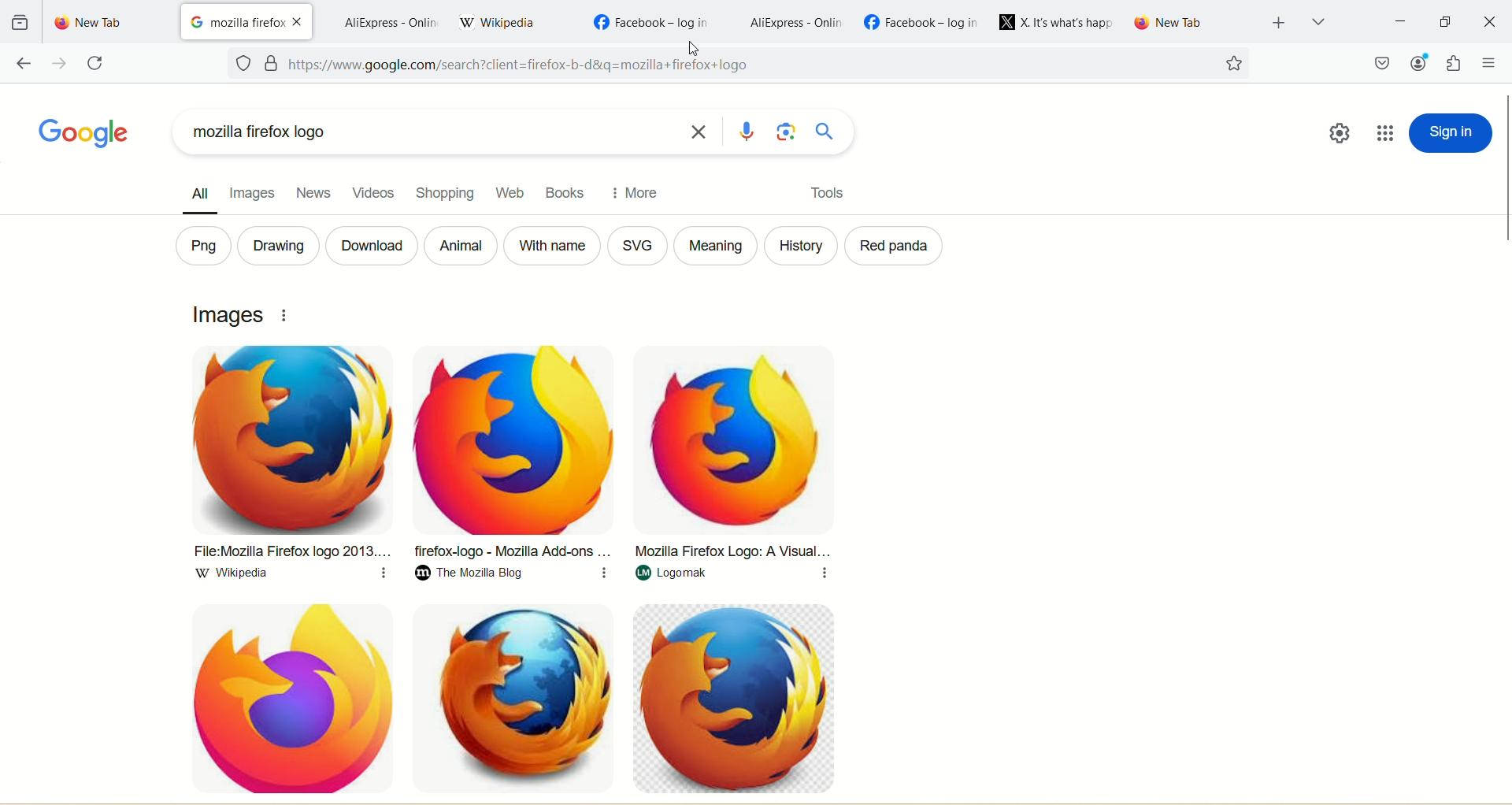 The height and width of the screenshot is (805, 1512). I want to click on AliExpress, so click(389, 23).